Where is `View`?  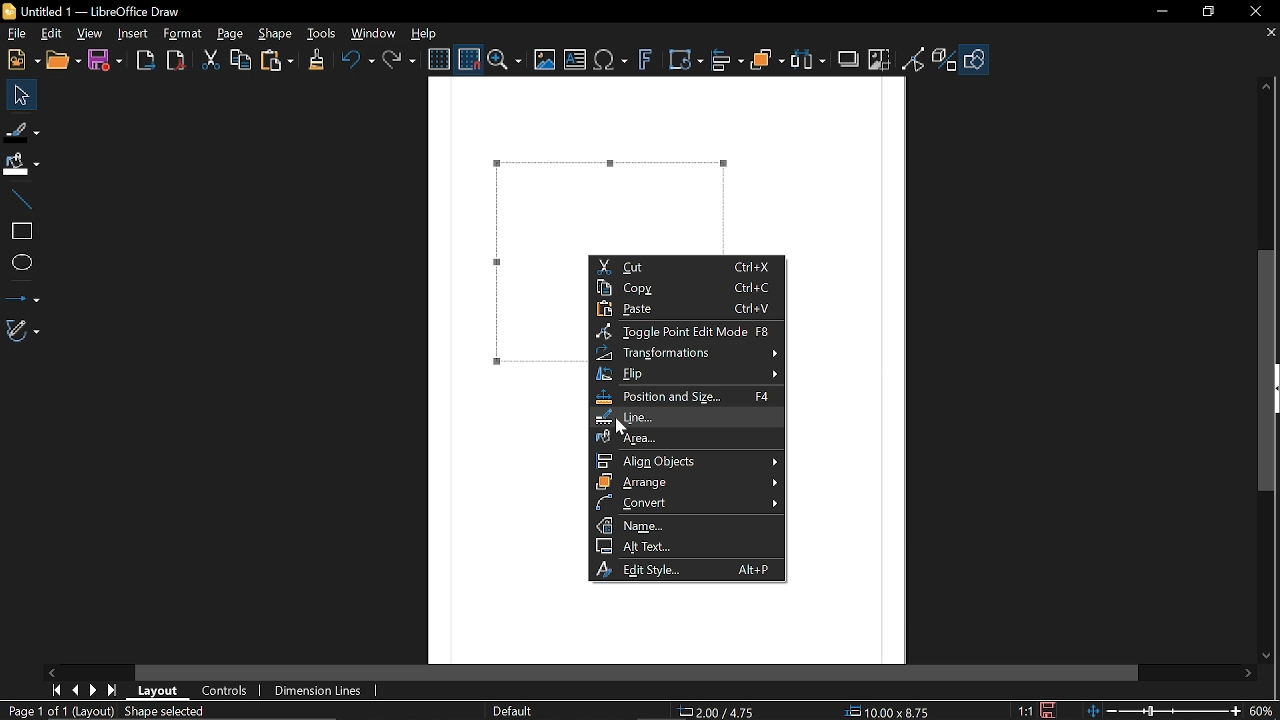 View is located at coordinates (90, 32).